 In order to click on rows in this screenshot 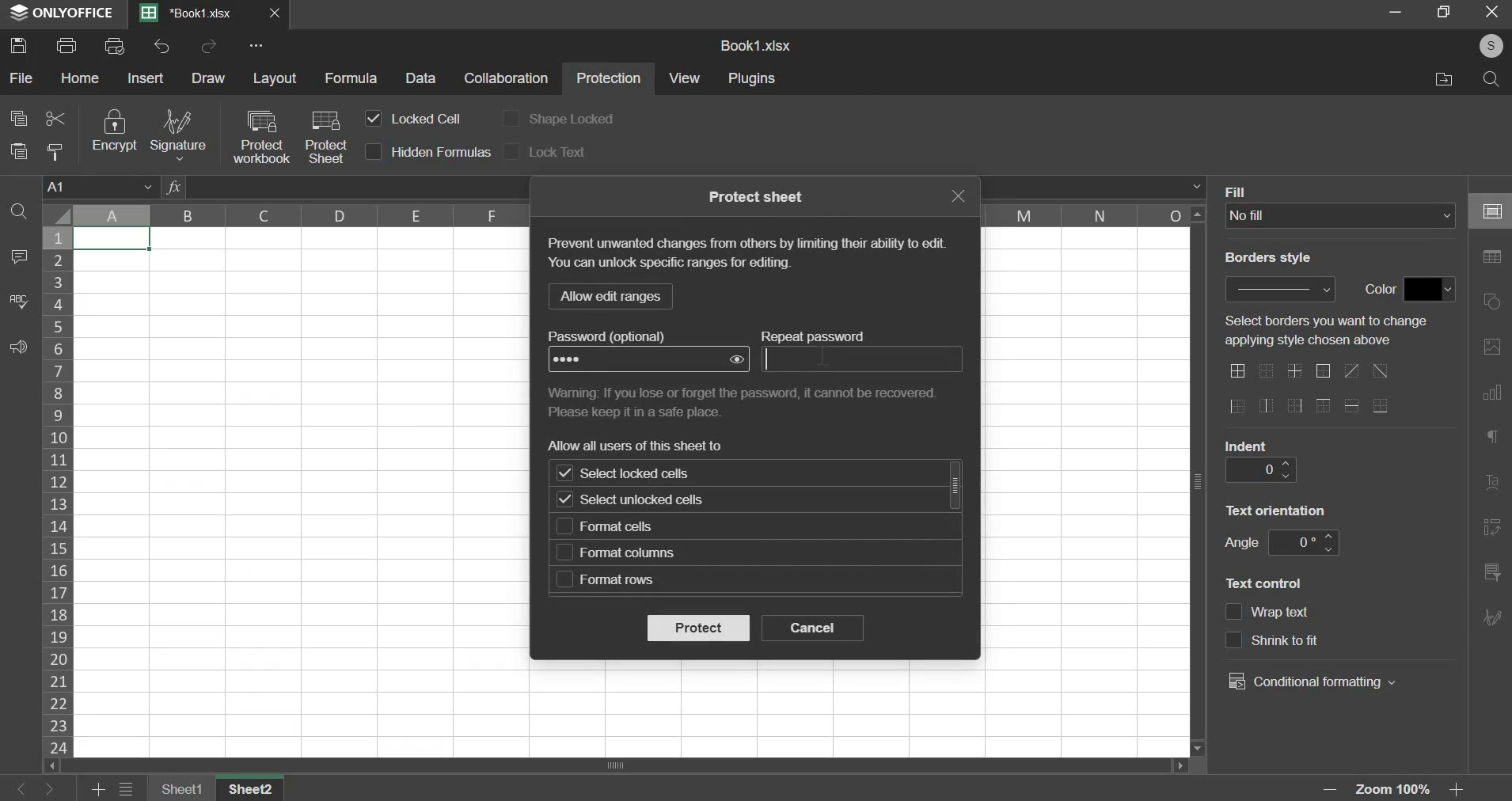, I will do `click(58, 490)`.